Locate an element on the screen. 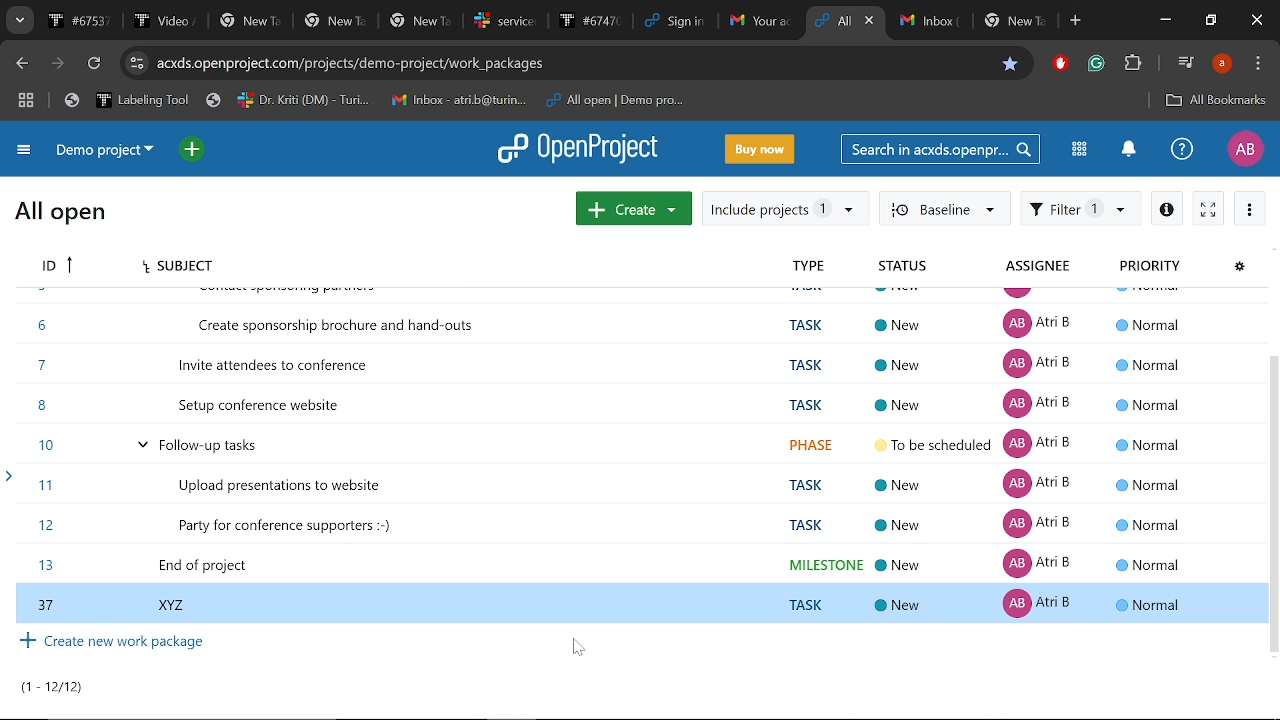 This screenshot has height=720, width=1280. Others tabs is located at coordinates (973, 23).